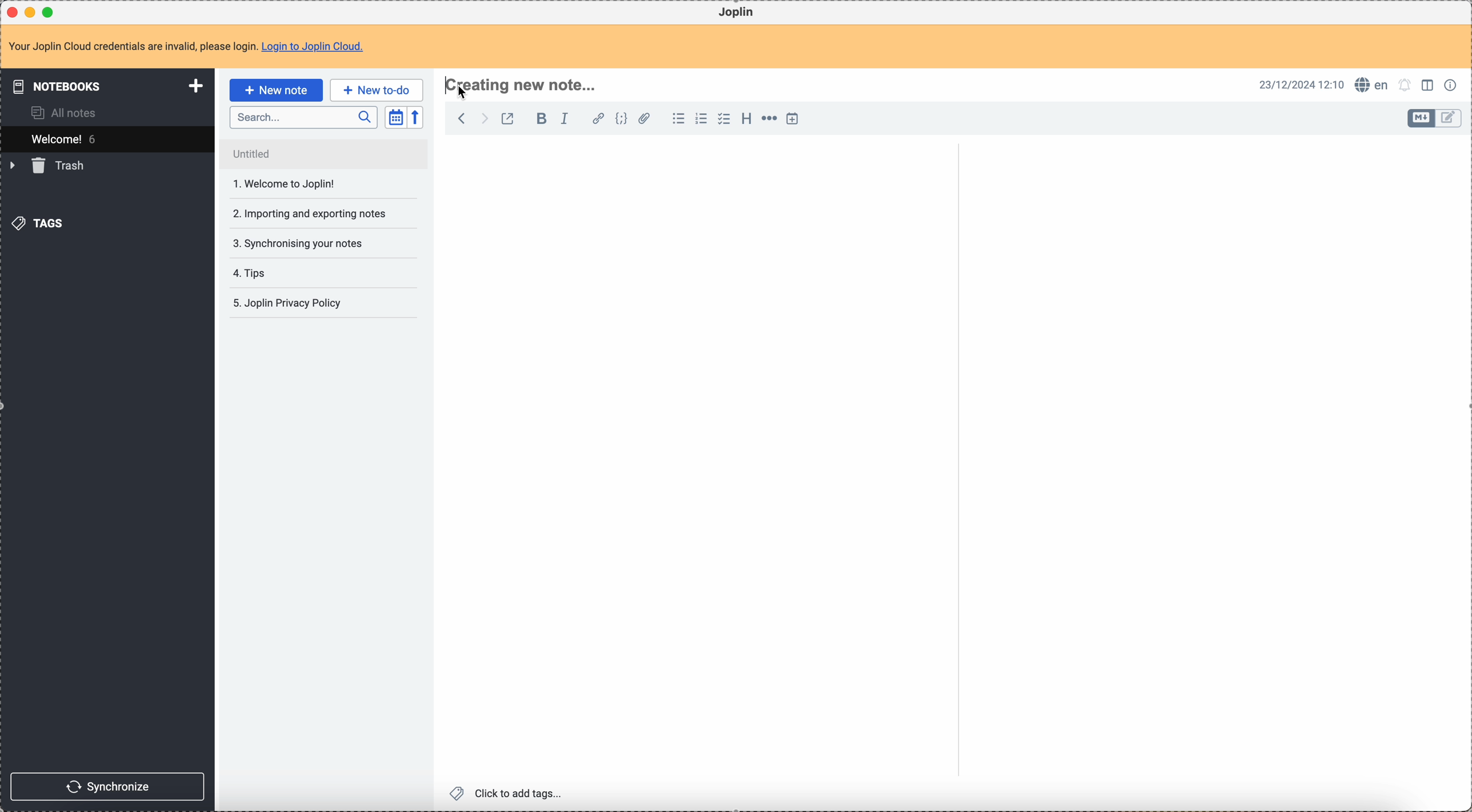 This screenshot has height=812, width=1472. What do you see at coordinates (458, 118) in the screenshot?
I see `back` at bounding box center [458, 118].